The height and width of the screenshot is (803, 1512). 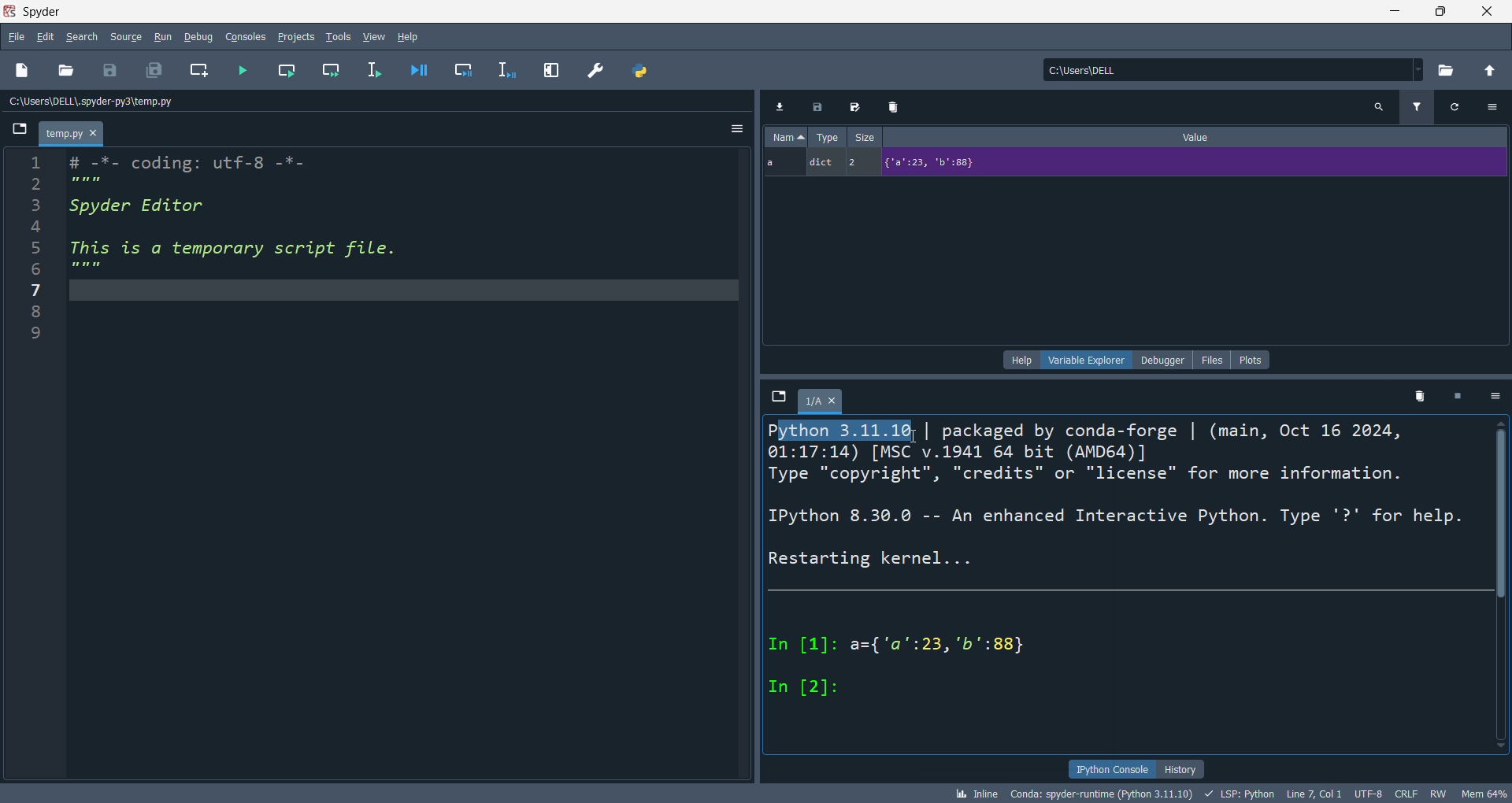 I want to click on plots, so click(x=1252, y=360).